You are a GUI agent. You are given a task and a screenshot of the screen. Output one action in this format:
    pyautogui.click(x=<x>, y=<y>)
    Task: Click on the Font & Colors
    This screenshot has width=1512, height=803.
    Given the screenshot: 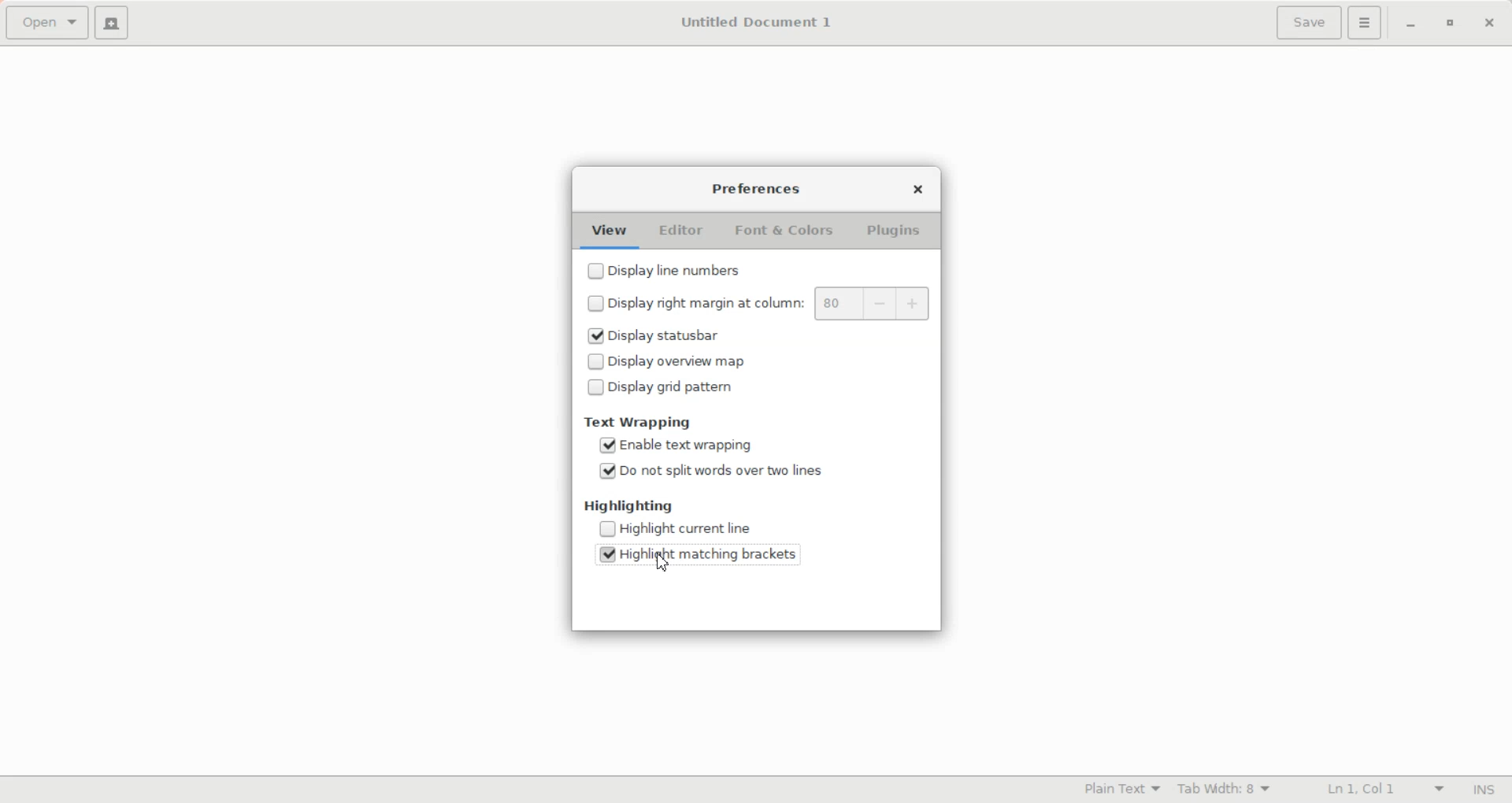 What is the action you would take?
    pyautogui.click(x=787, y=231)
    